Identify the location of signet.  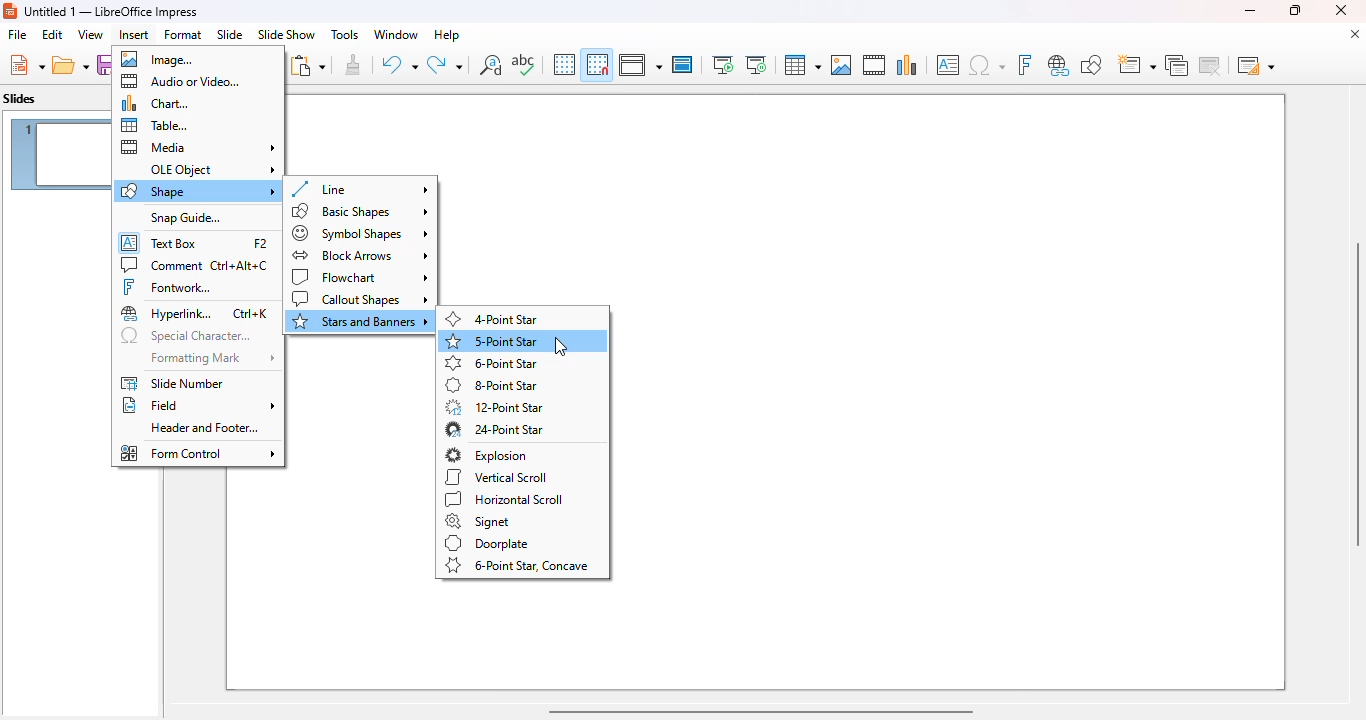
(477, 521).